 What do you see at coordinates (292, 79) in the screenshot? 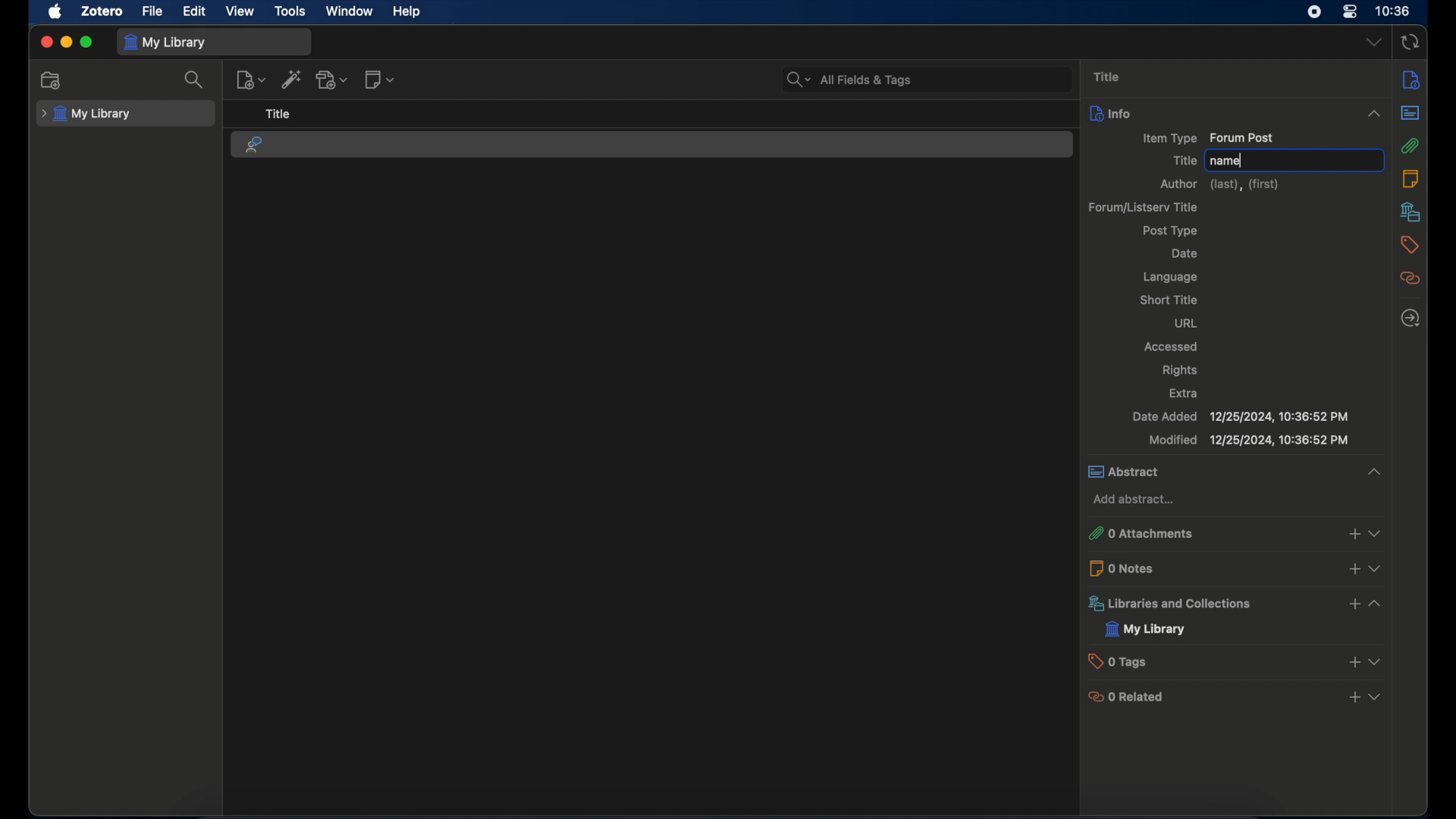
I see `add item by identifier` at bounding box center [292, 79].